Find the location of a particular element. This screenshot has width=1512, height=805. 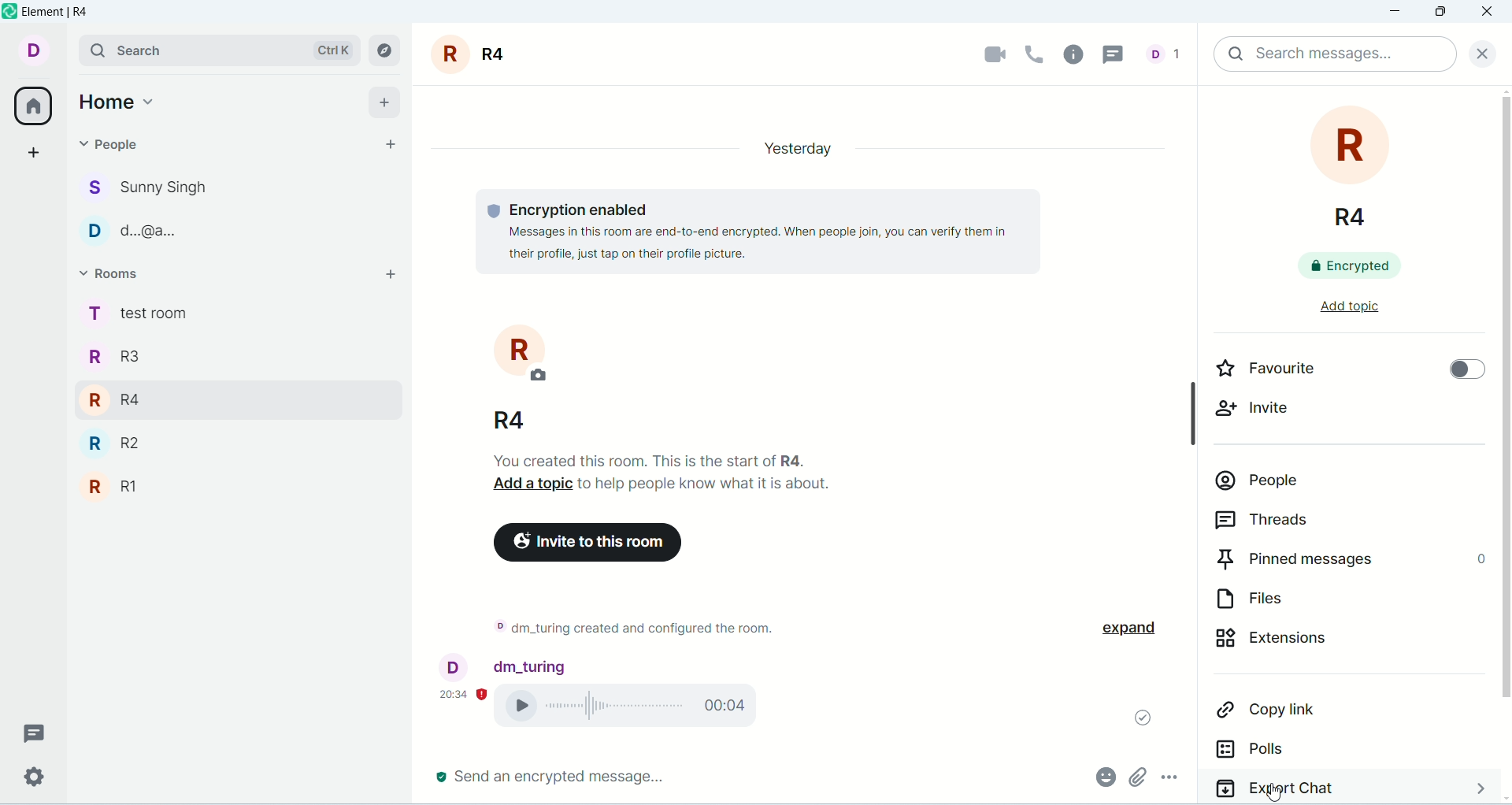

voice call is located at coordinates (636, 708).